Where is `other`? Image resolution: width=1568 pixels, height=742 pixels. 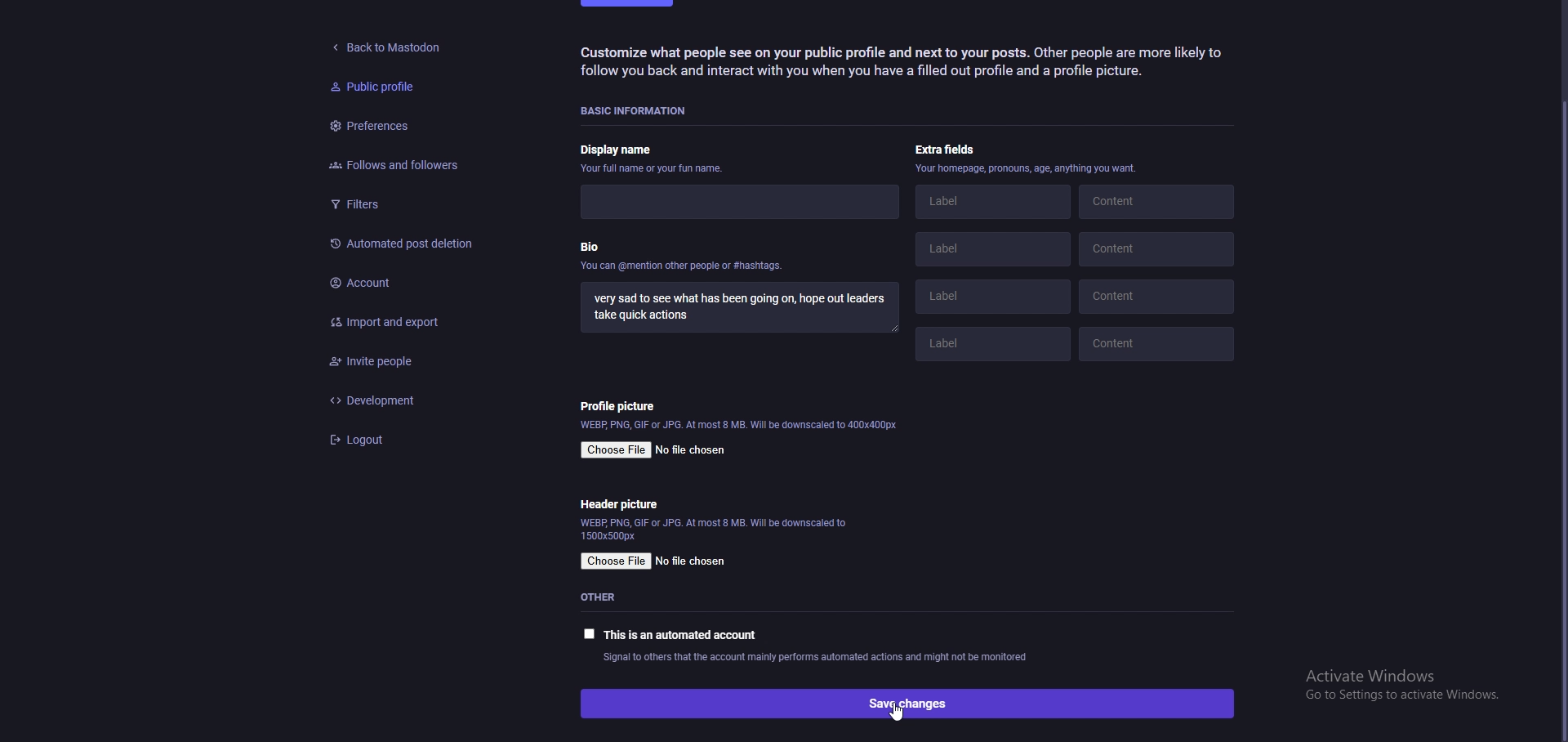 other is located at coordinates (608, 597).